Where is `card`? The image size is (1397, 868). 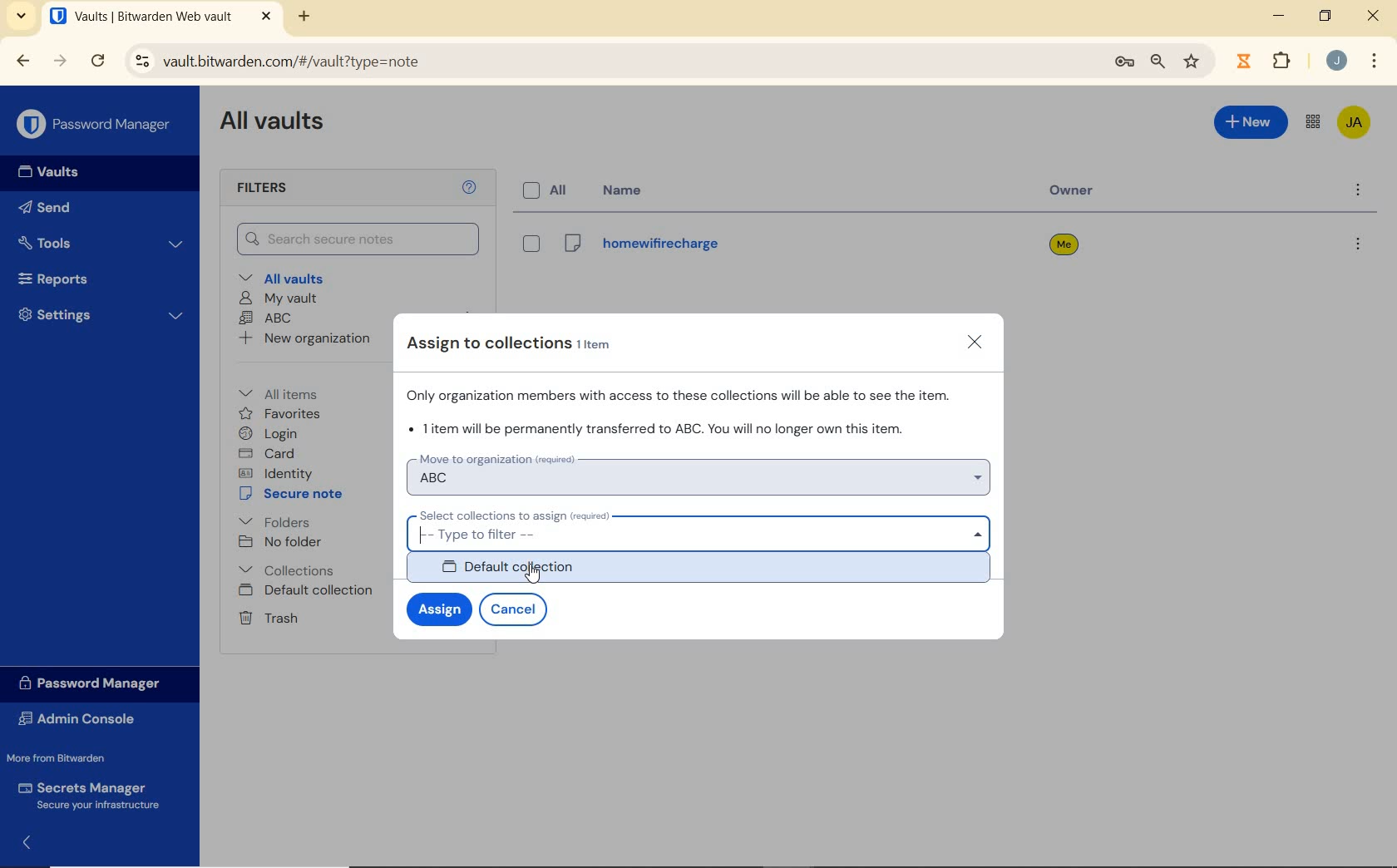
card is located at coordinates (269, 453).